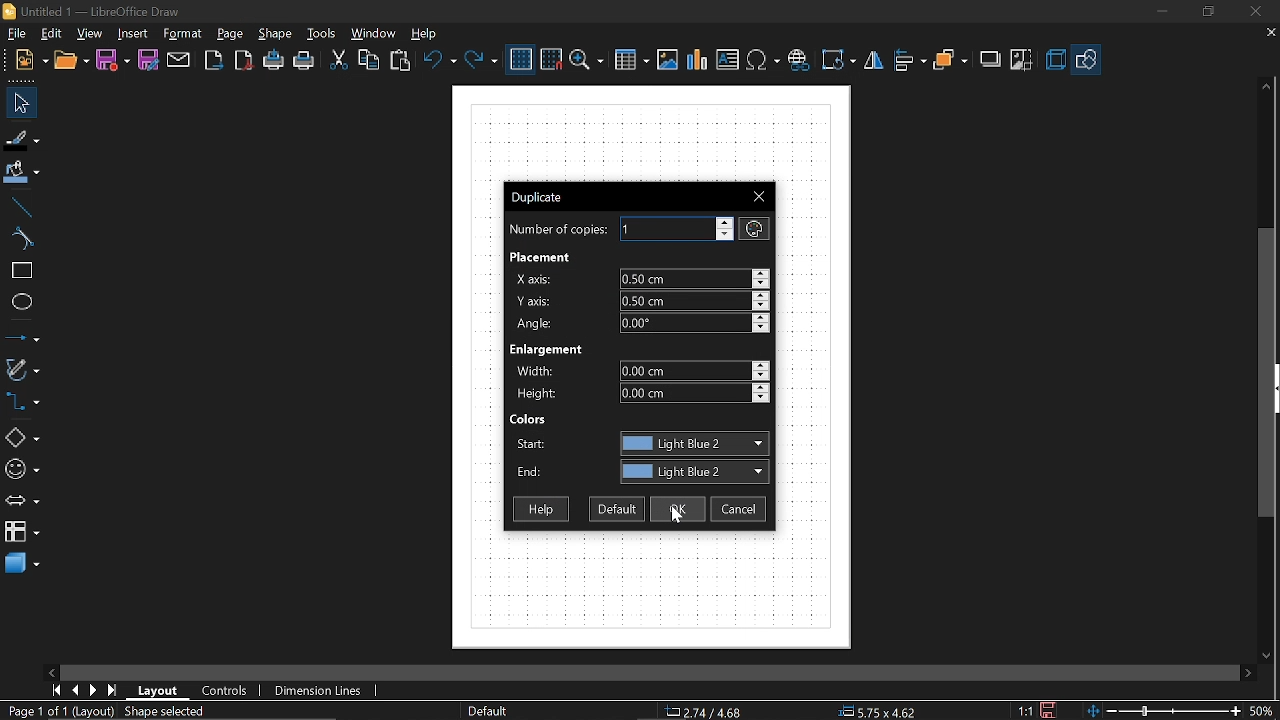 This screenshot has height=720, width=1280. Describe the element at coordinates (1055, 60) in the screenshot. I see `3d effects` at that location.